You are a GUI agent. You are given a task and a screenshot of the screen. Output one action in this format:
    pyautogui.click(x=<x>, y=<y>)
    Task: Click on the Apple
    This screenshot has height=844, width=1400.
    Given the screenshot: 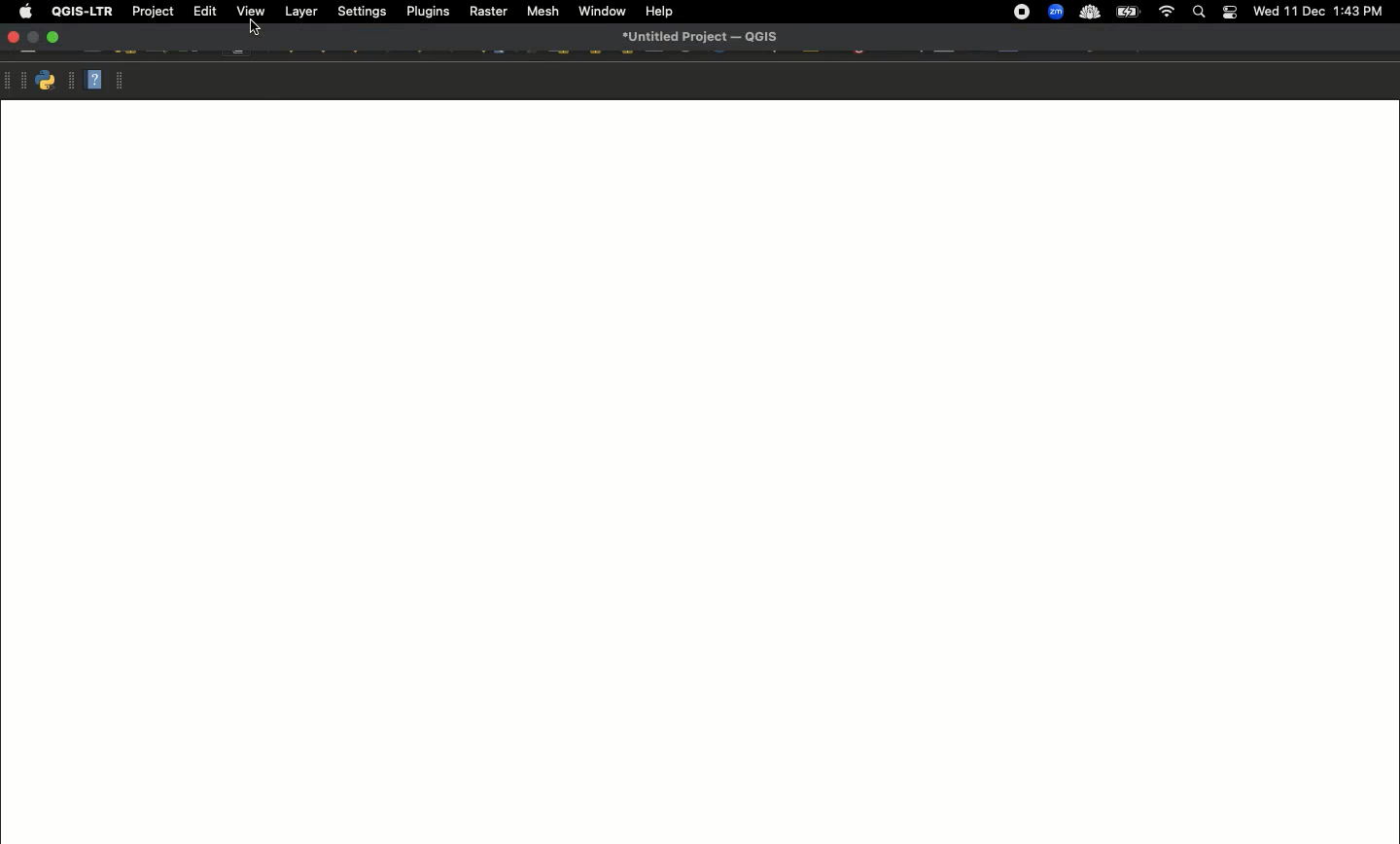 What is the action you would take?
    pyautogui.click(x=22, y=12)
    